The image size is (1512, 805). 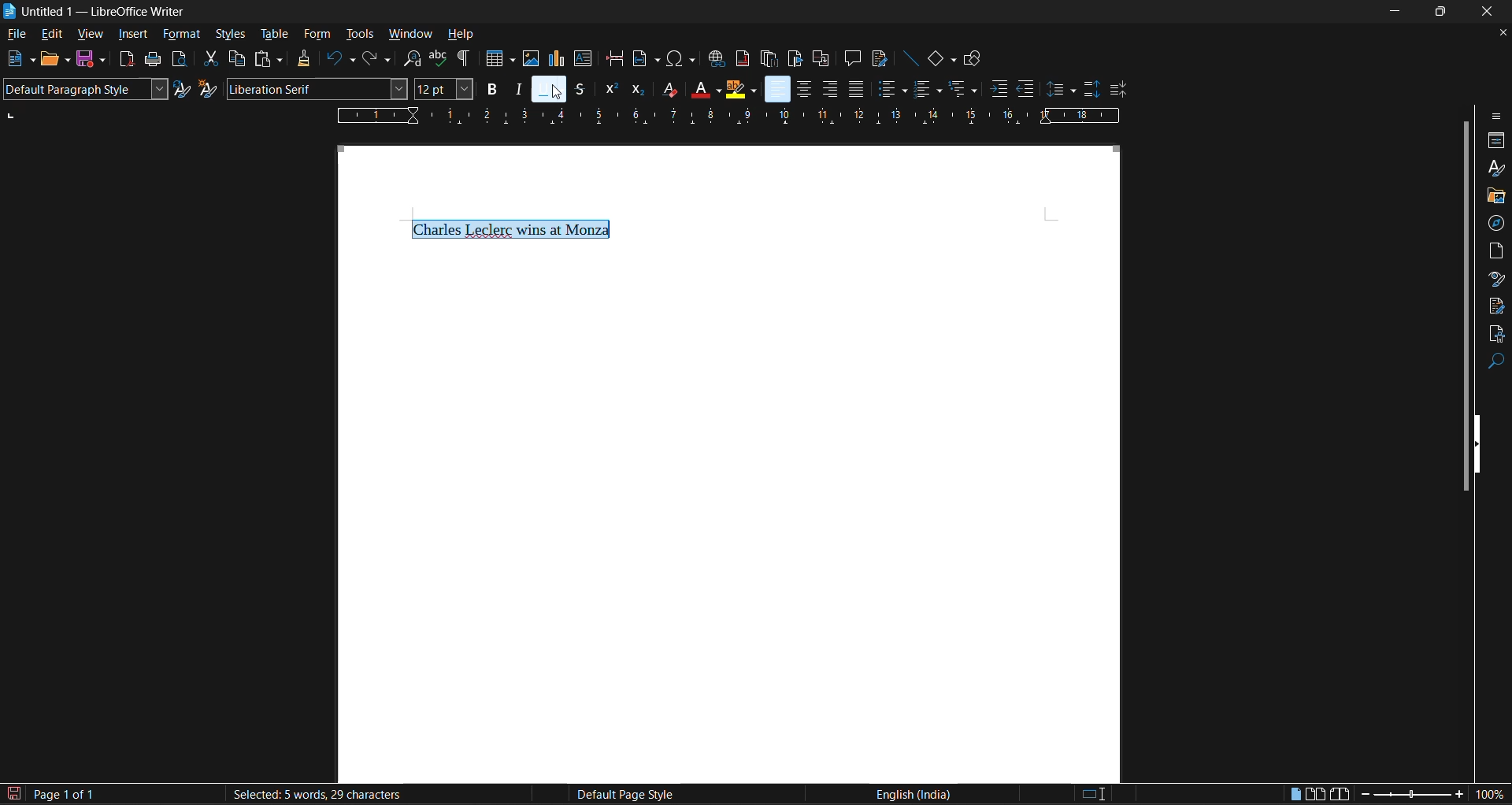 What do you see at coordinates (11, 796) in the screenshot?
I see `click to save` at bounding box center [11, 796].